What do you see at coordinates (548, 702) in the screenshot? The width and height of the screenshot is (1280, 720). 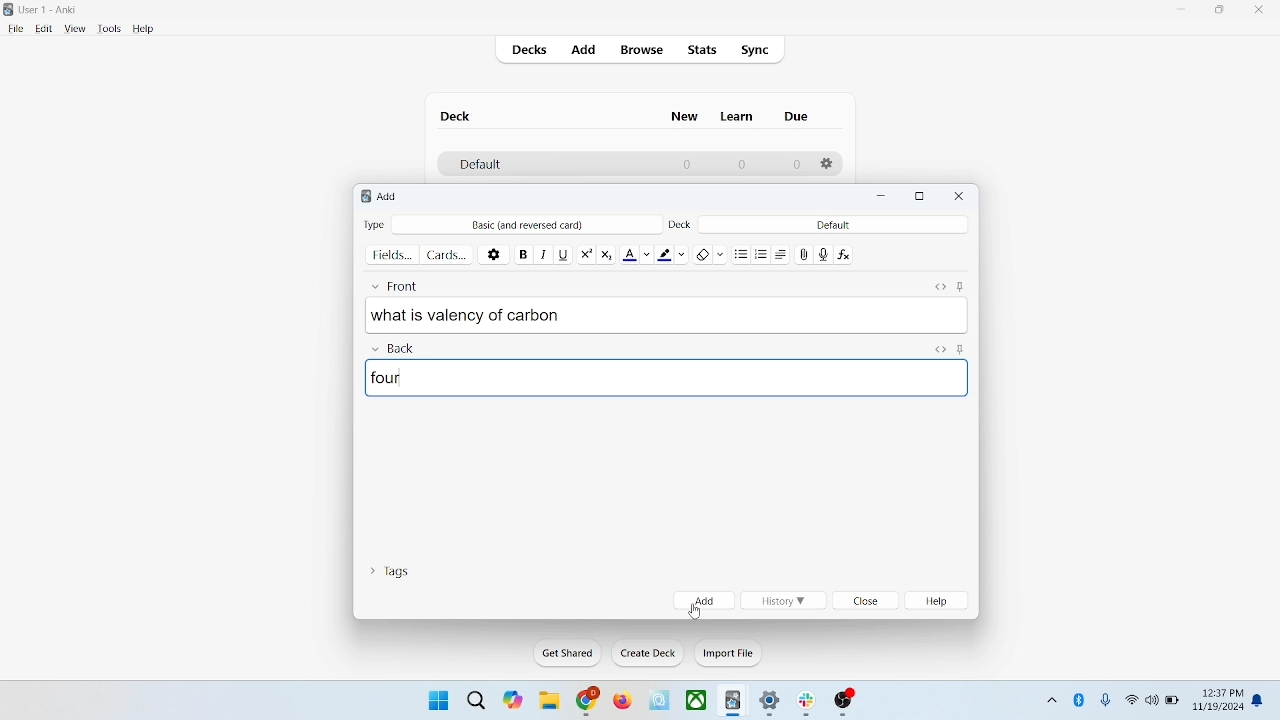 I see `folder` at bounding box center [548, 702].